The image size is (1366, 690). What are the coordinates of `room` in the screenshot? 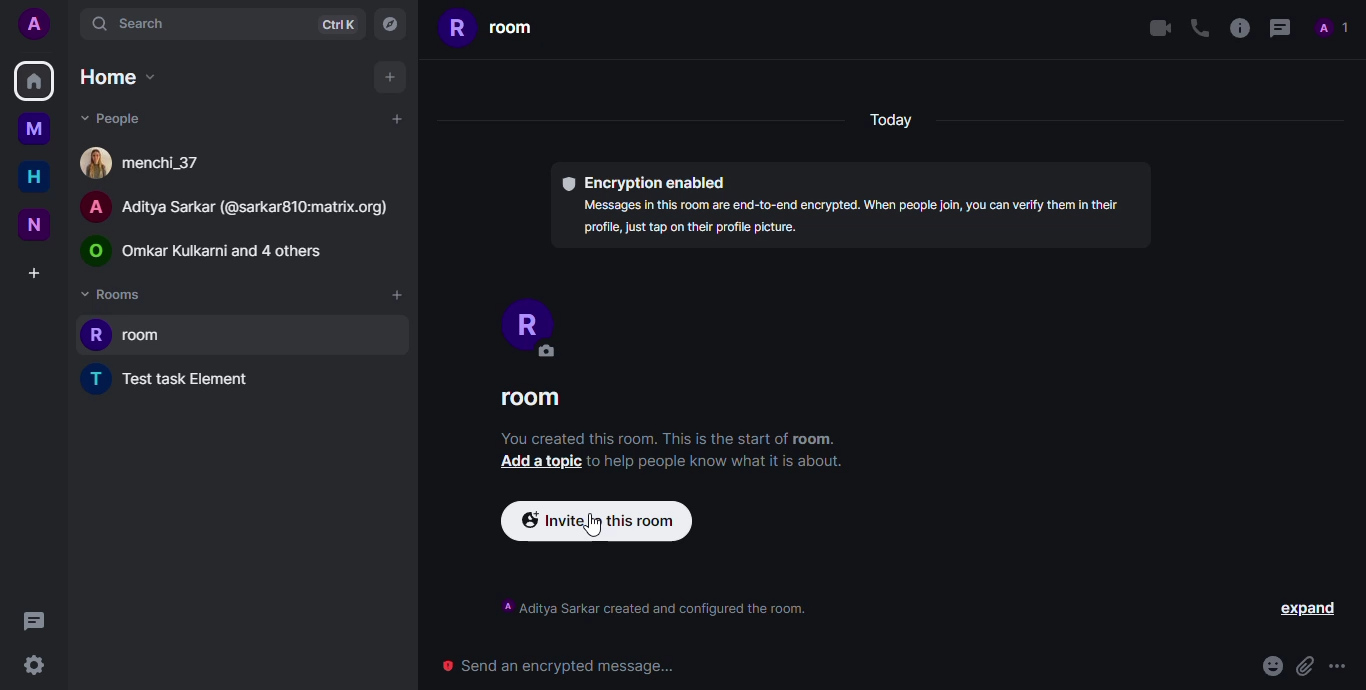 It's located at (129, 331).